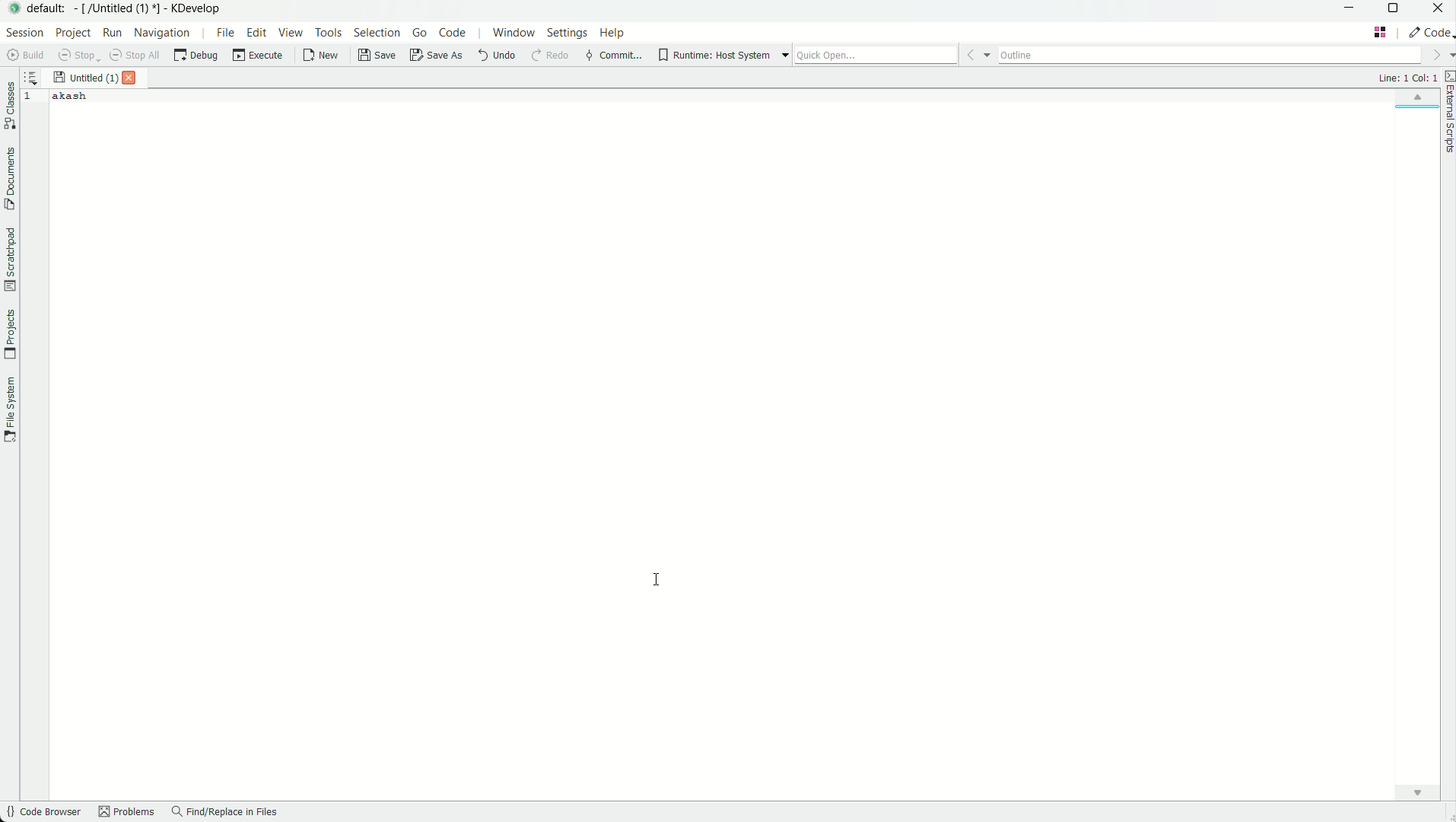  What do you see at coordinates (785, 56) in the screenshot?
I see `more options` at bounding box center [785, 56].